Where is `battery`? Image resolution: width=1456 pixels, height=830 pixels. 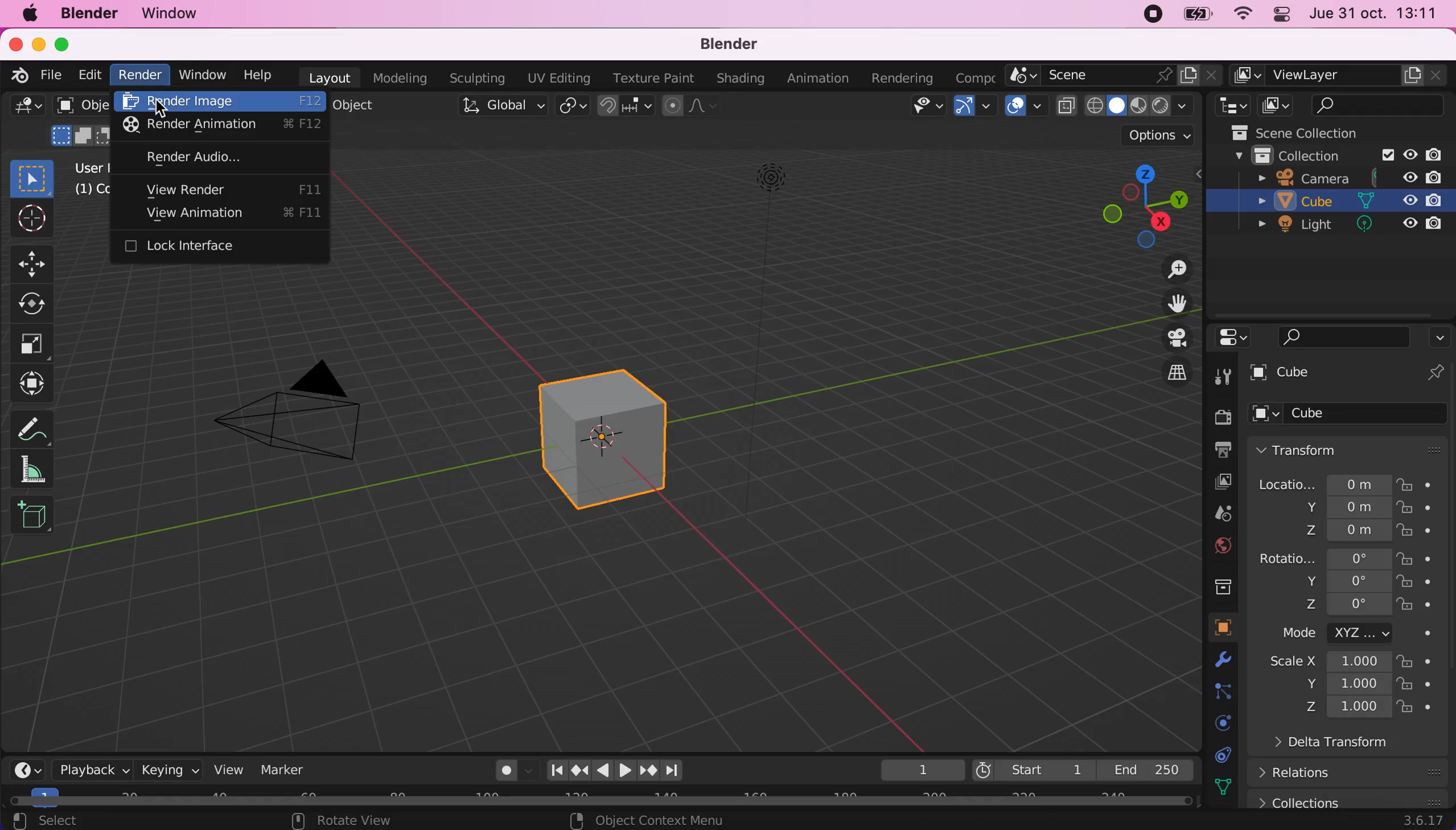
battery is located at coordinates (1200, 15).